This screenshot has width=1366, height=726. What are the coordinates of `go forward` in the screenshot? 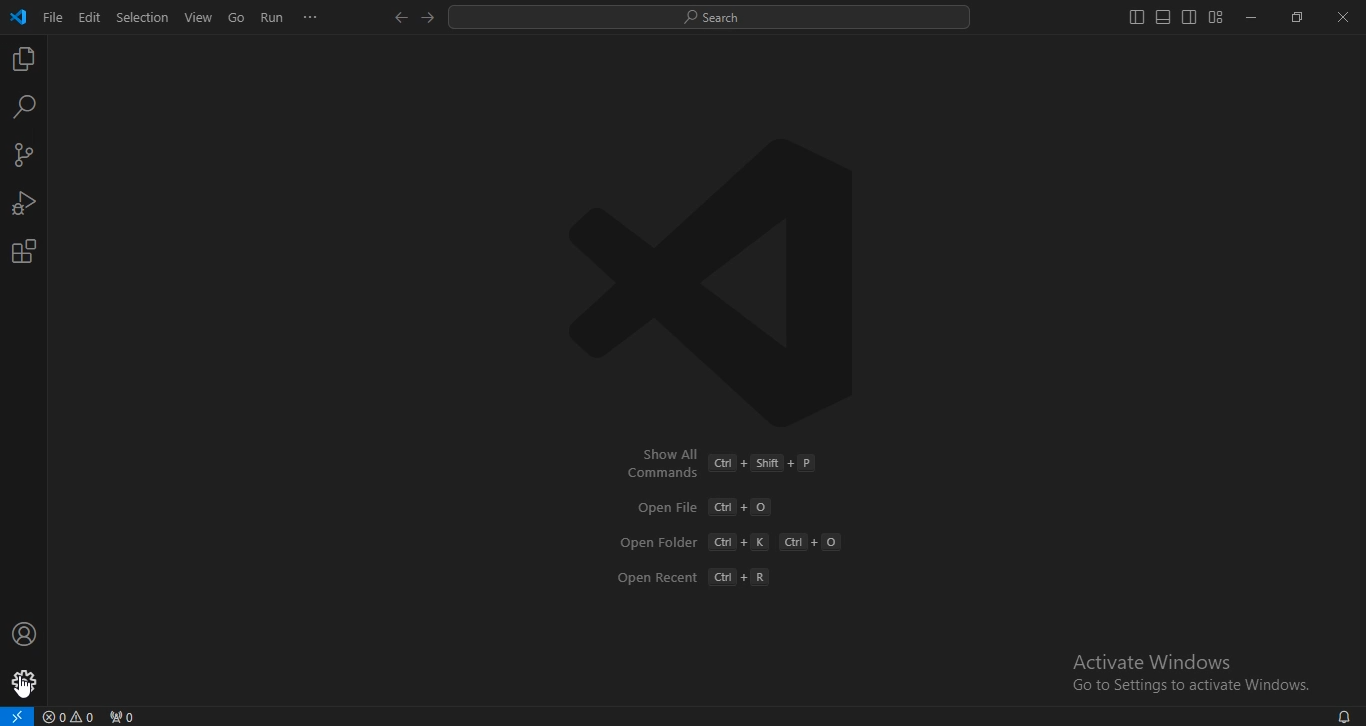 It's located at (429, 16).